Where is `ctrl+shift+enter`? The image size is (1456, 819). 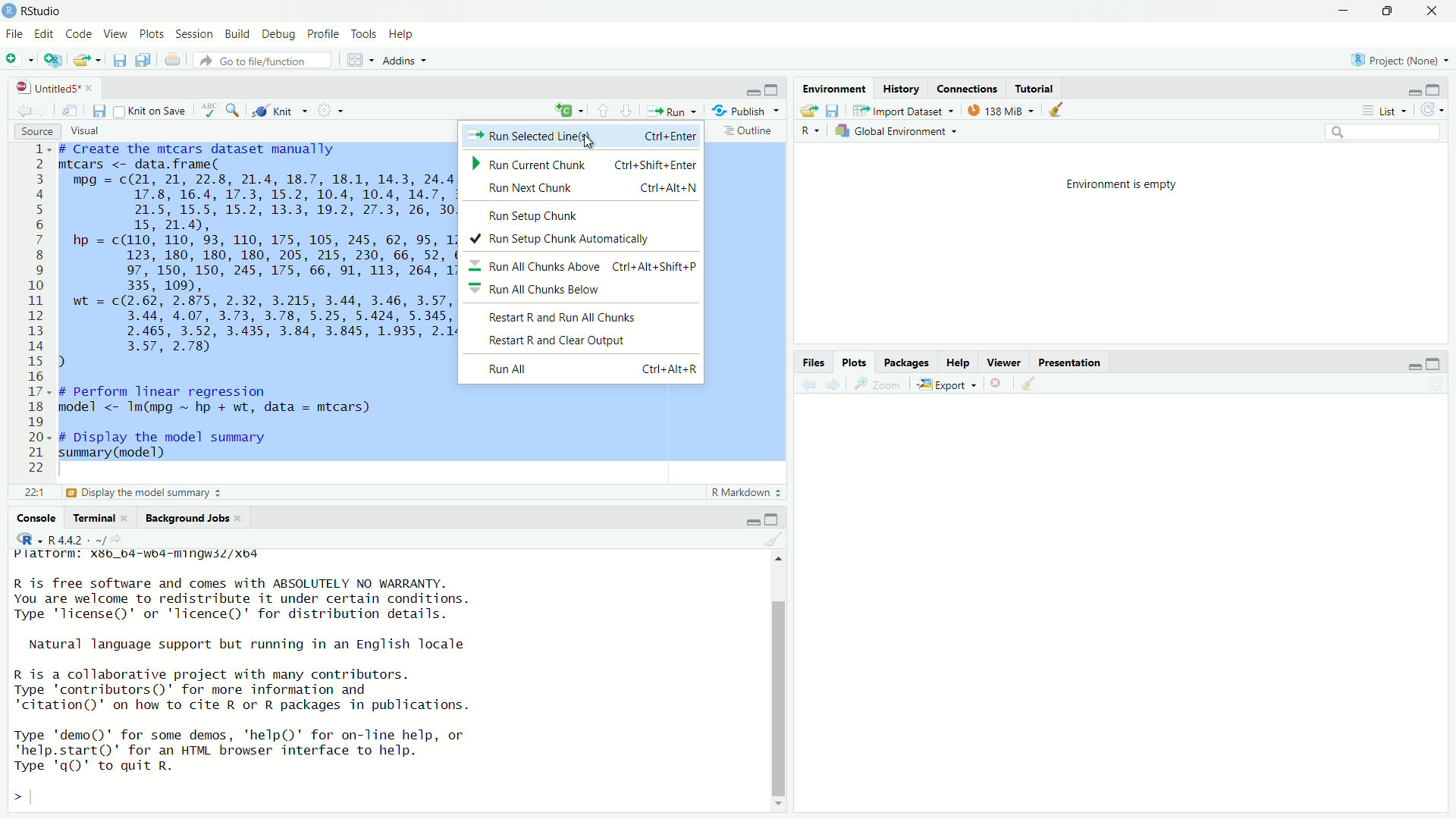
ctrl+shift+enter is located at coordinates (654, 165).